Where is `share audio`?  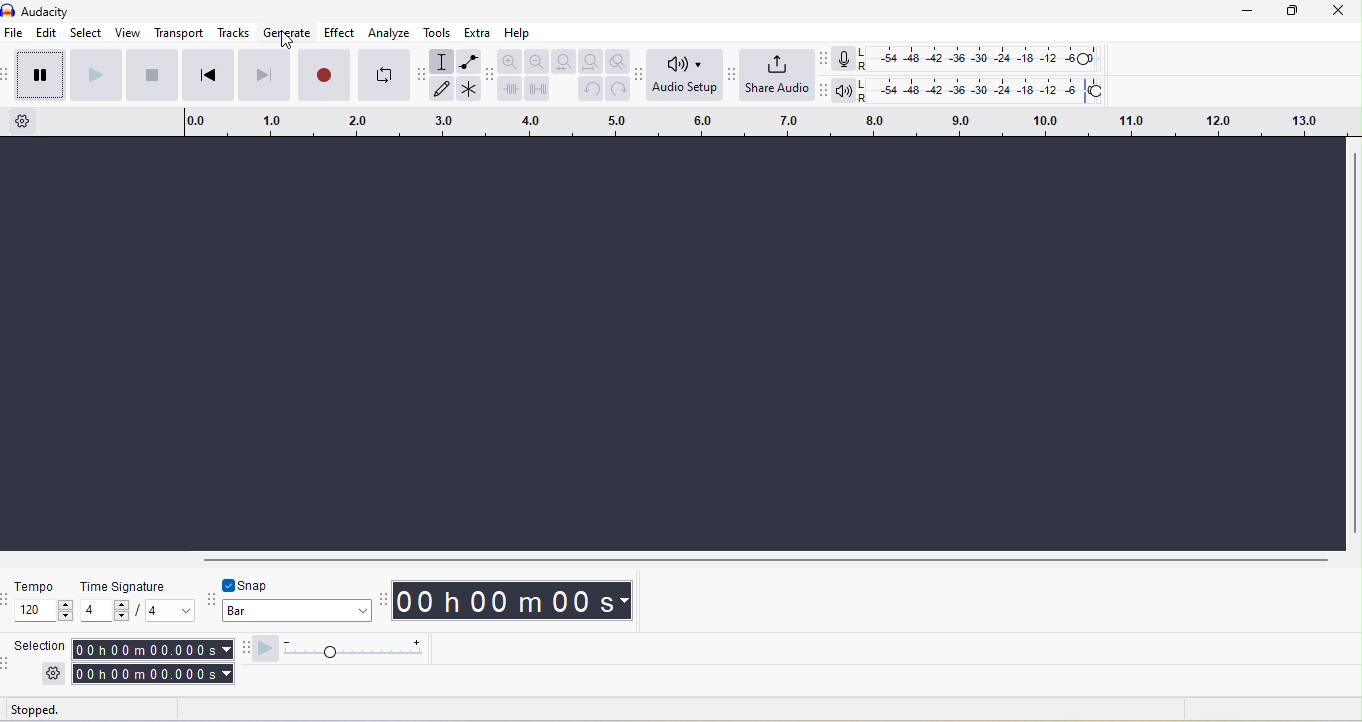 share audio is located at coordinates (779, 75).